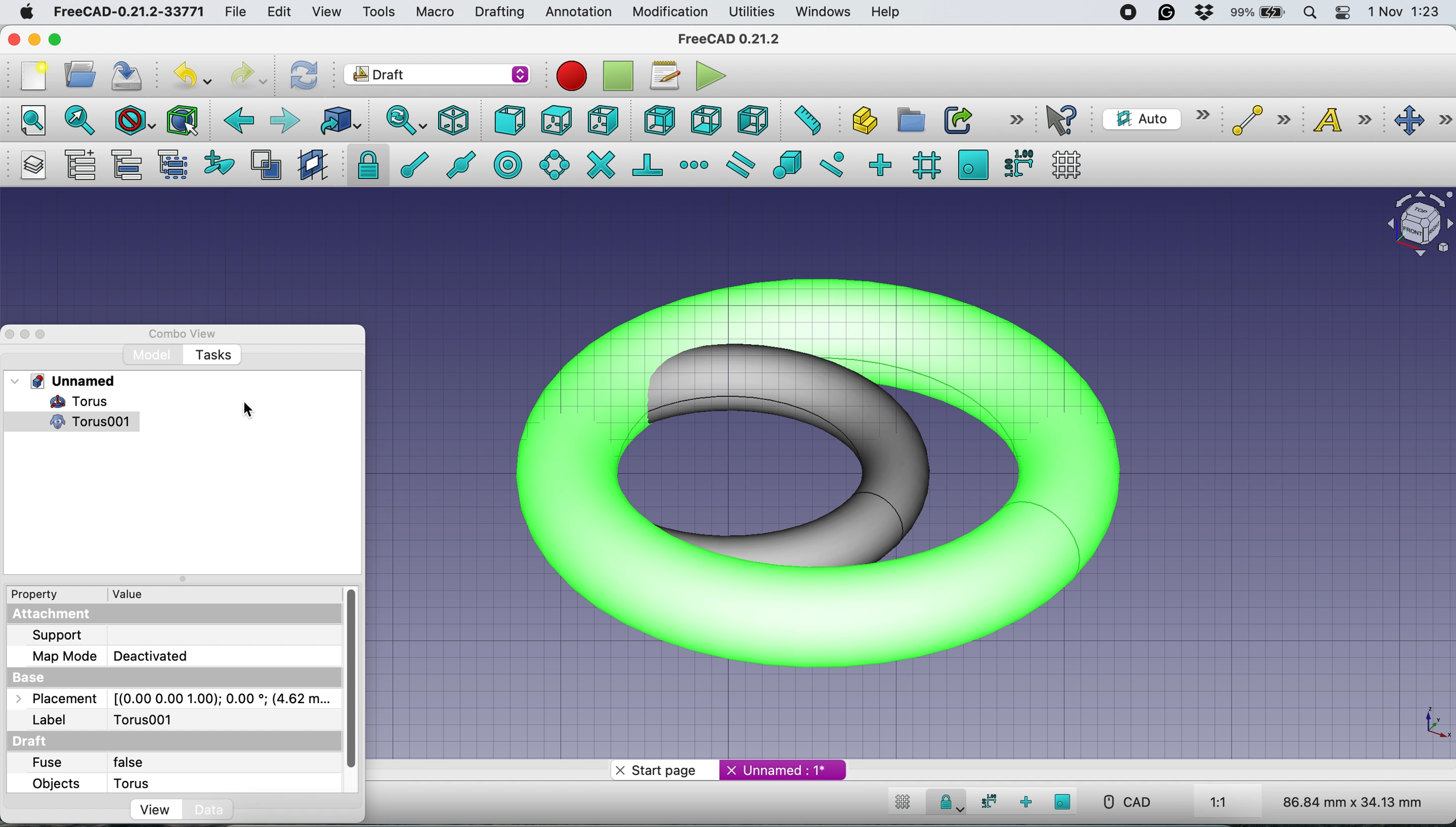  I want to click on snap center, so click(509, 164).